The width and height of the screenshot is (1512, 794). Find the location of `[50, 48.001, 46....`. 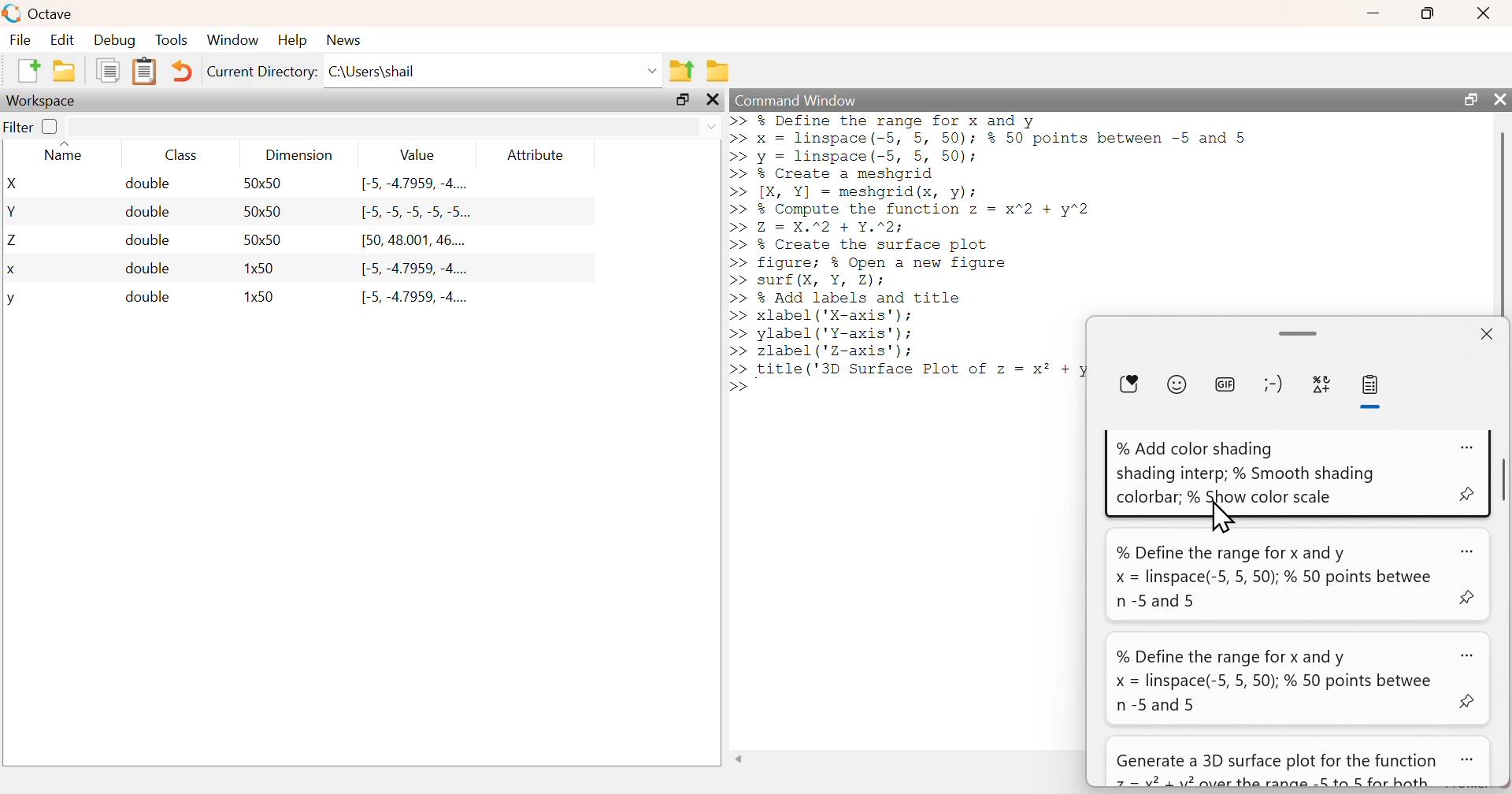

[50, 48.001, 46.... is located at coordinates (415, 242).